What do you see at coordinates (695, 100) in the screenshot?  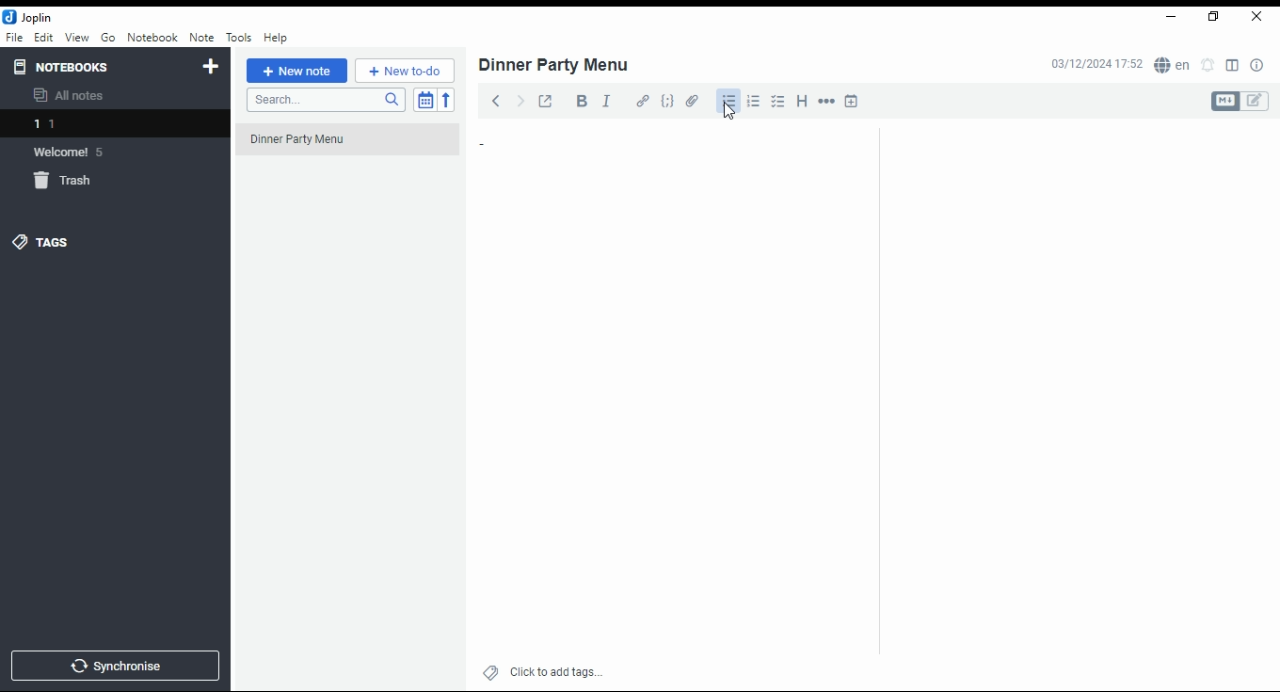 I see `attach file` at bounding box center [695, 100].